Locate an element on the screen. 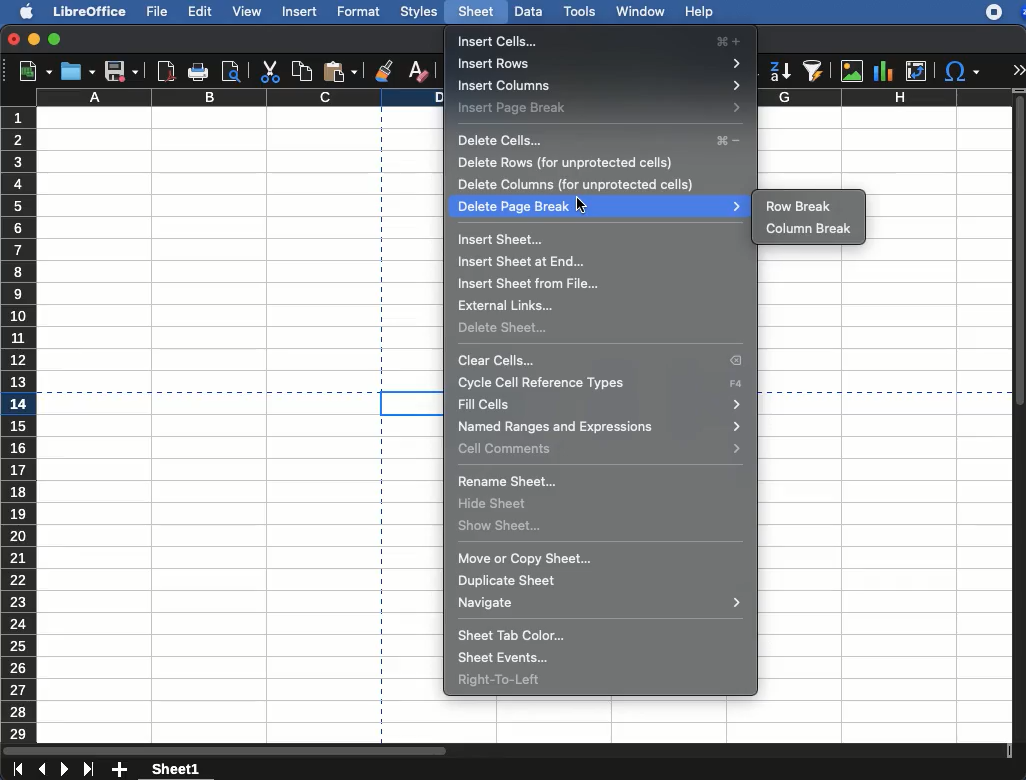 Image resolution: width=1026 pixels, height=780 pixels. libreoffice is located at coordinates (90, 10).